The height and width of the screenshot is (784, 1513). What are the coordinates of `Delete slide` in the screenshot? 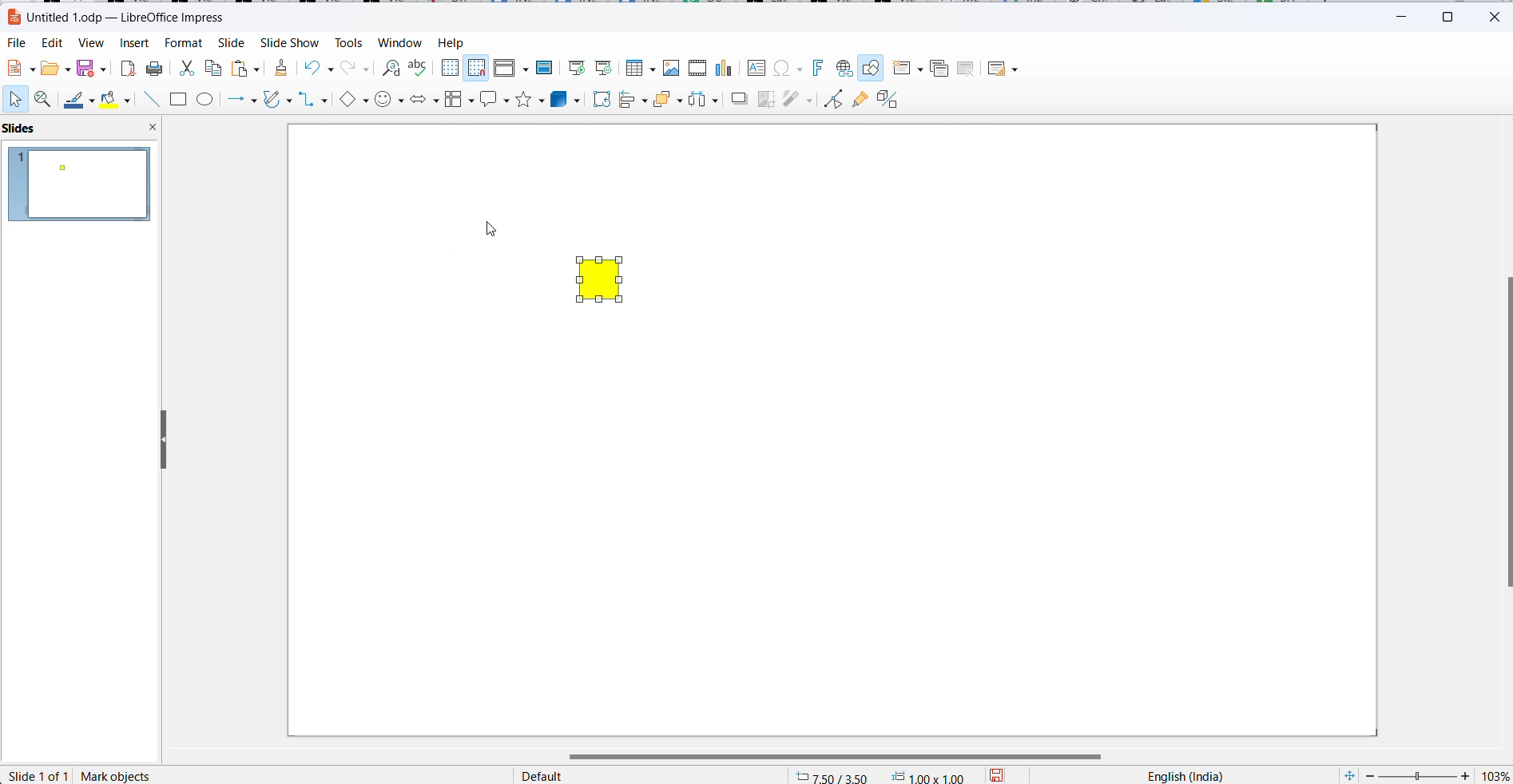 It's located at (967, 69).